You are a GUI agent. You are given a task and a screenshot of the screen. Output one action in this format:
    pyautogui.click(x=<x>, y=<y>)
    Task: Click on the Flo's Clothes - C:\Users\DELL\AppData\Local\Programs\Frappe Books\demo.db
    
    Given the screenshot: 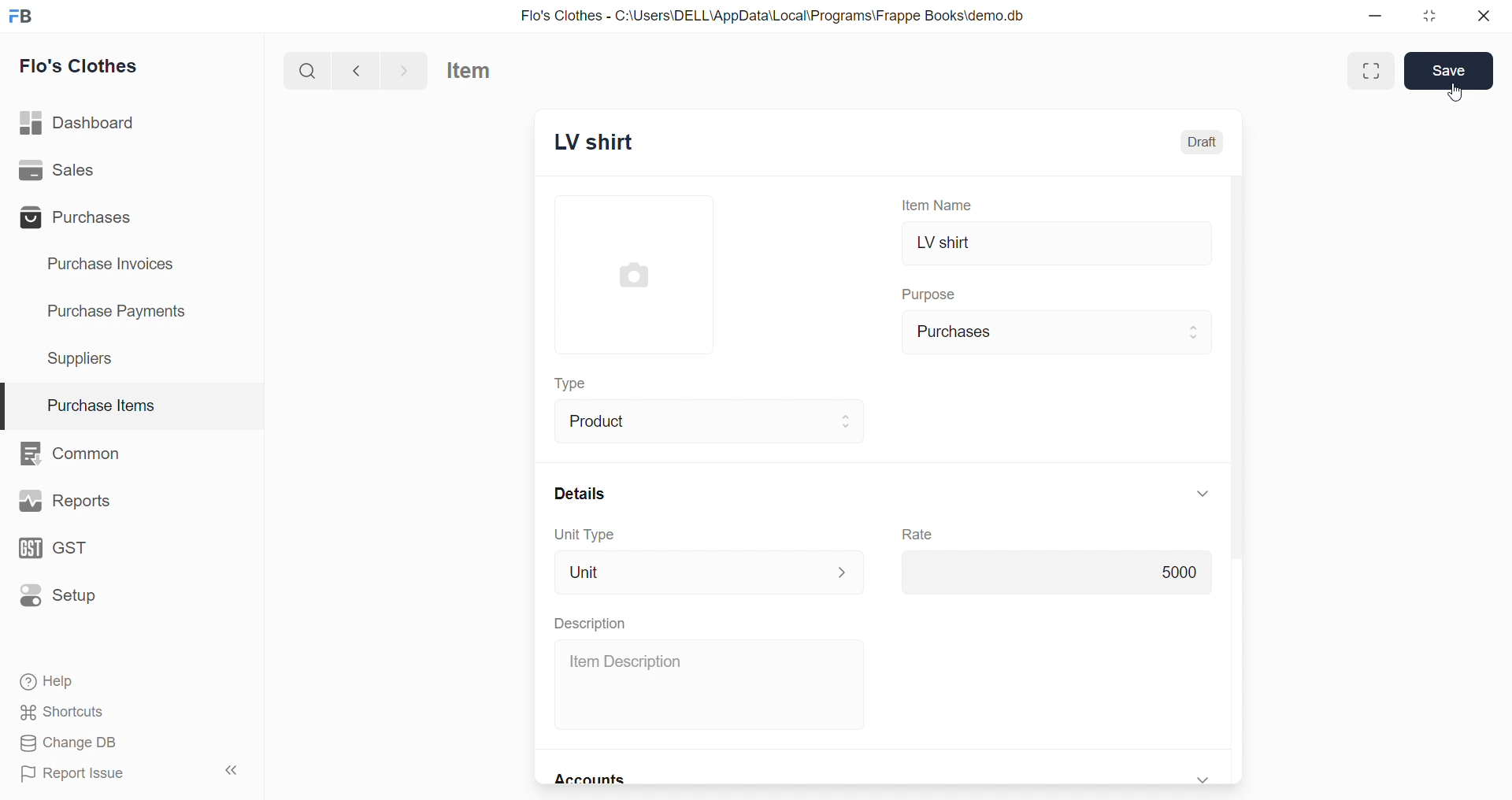 What is the action you would take?
    pyautogui.click(x=773, y=14)
    